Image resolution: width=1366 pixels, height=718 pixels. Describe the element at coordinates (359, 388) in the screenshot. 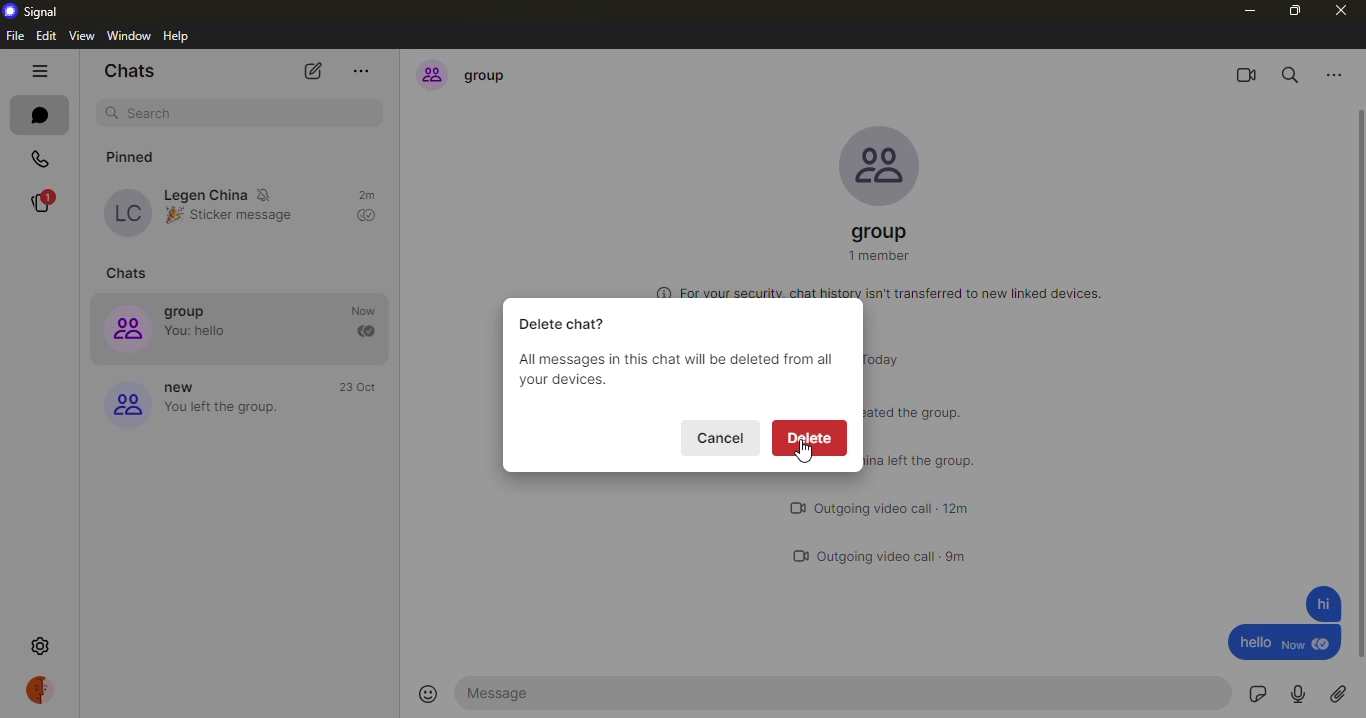

I see `time` at that location.